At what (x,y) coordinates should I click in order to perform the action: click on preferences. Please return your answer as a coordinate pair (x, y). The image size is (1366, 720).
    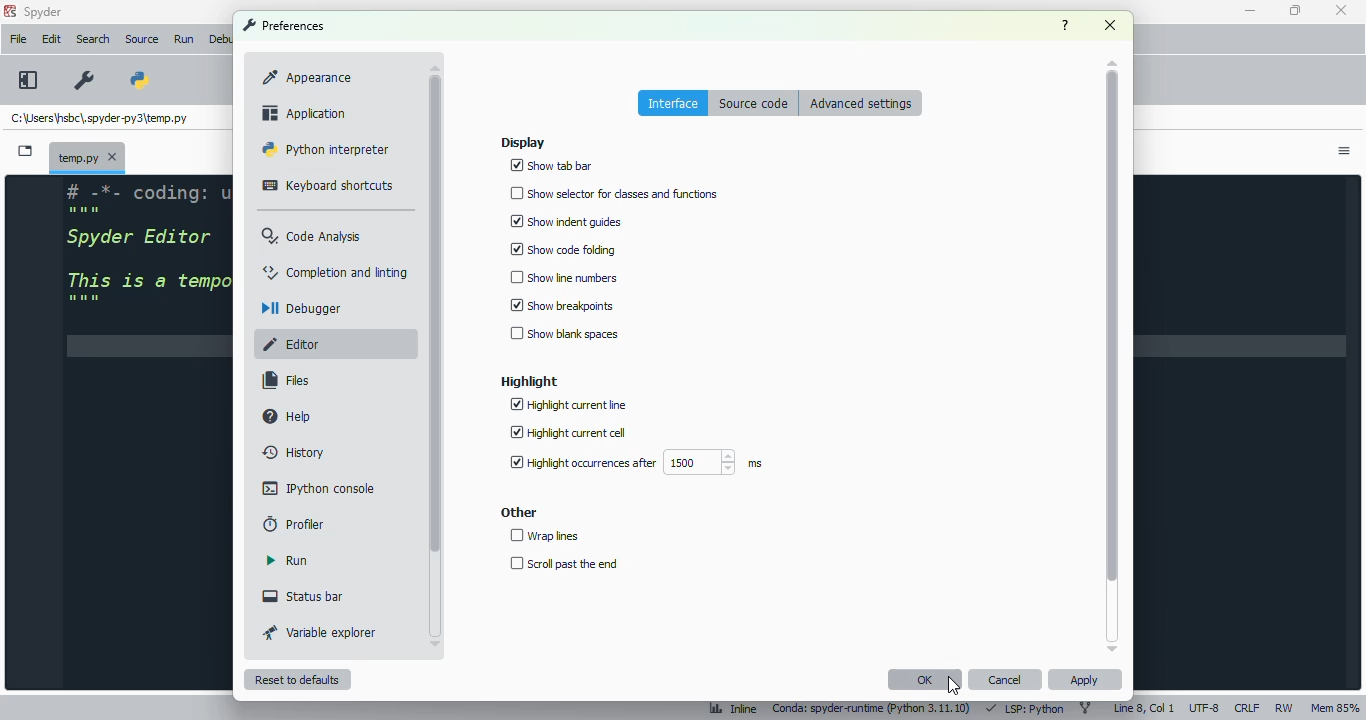
    Looking at the image, I should click on (286, 26).